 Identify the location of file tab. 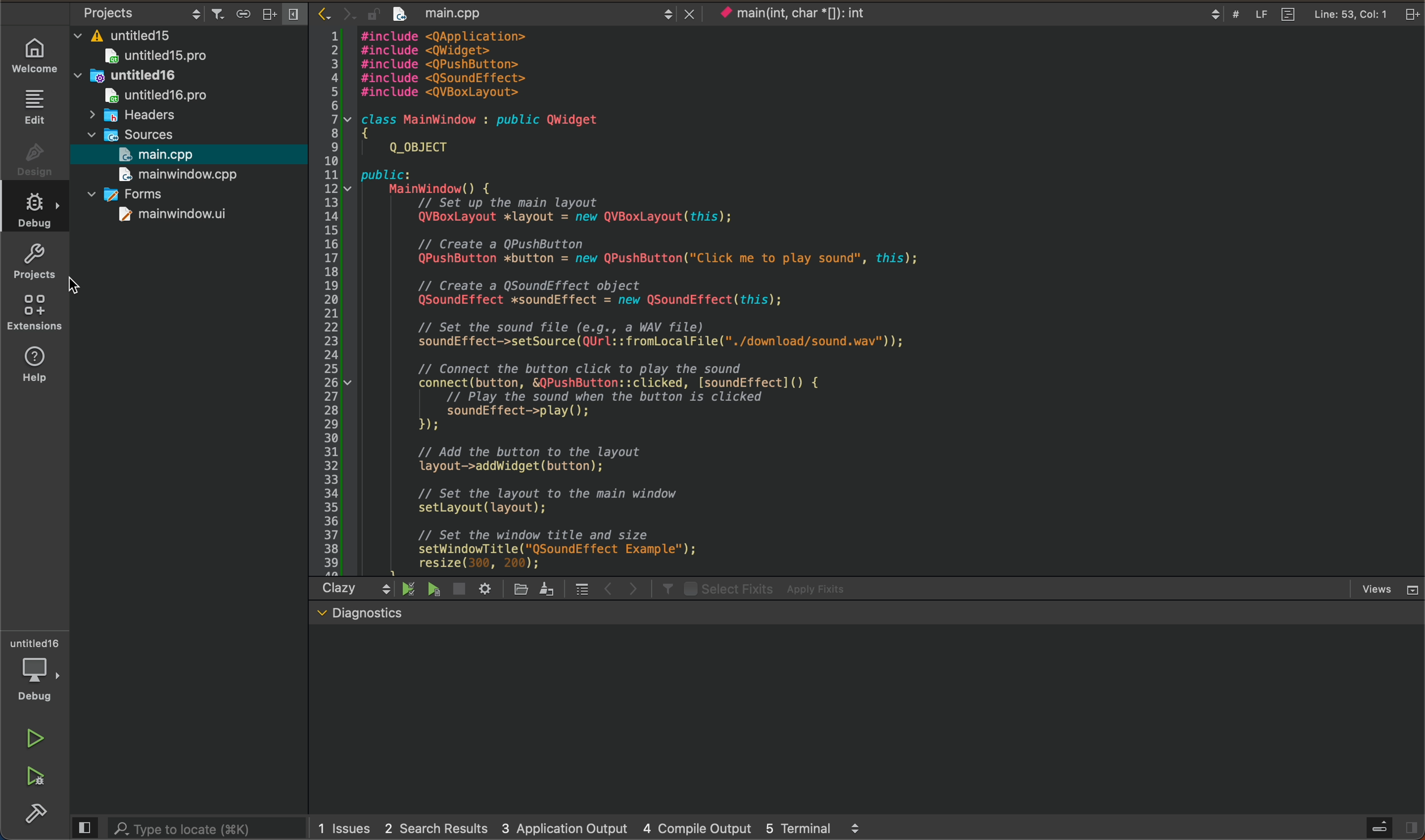
(533, 14).